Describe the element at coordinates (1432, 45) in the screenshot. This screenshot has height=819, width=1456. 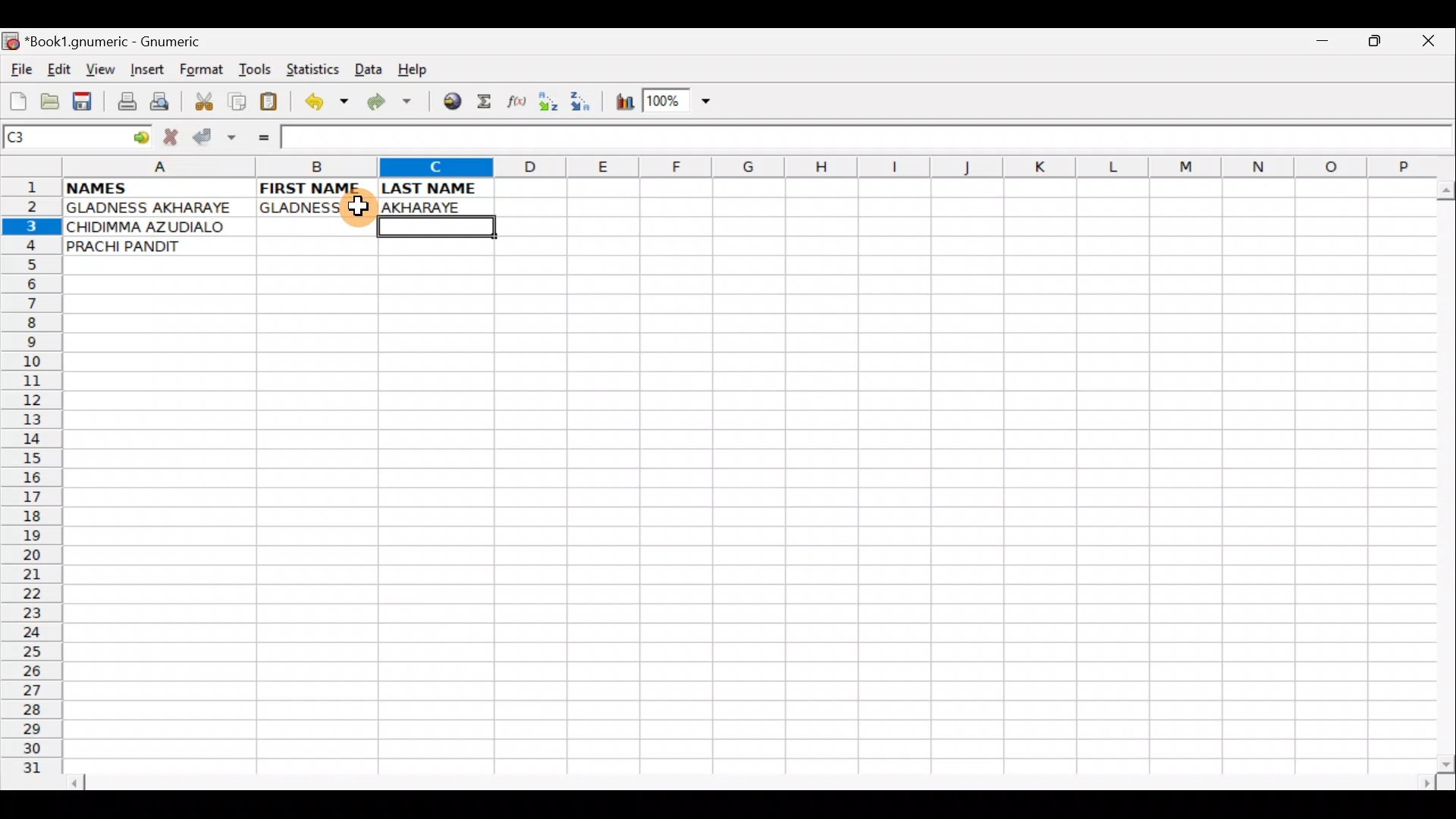
I see `Close` at that location.